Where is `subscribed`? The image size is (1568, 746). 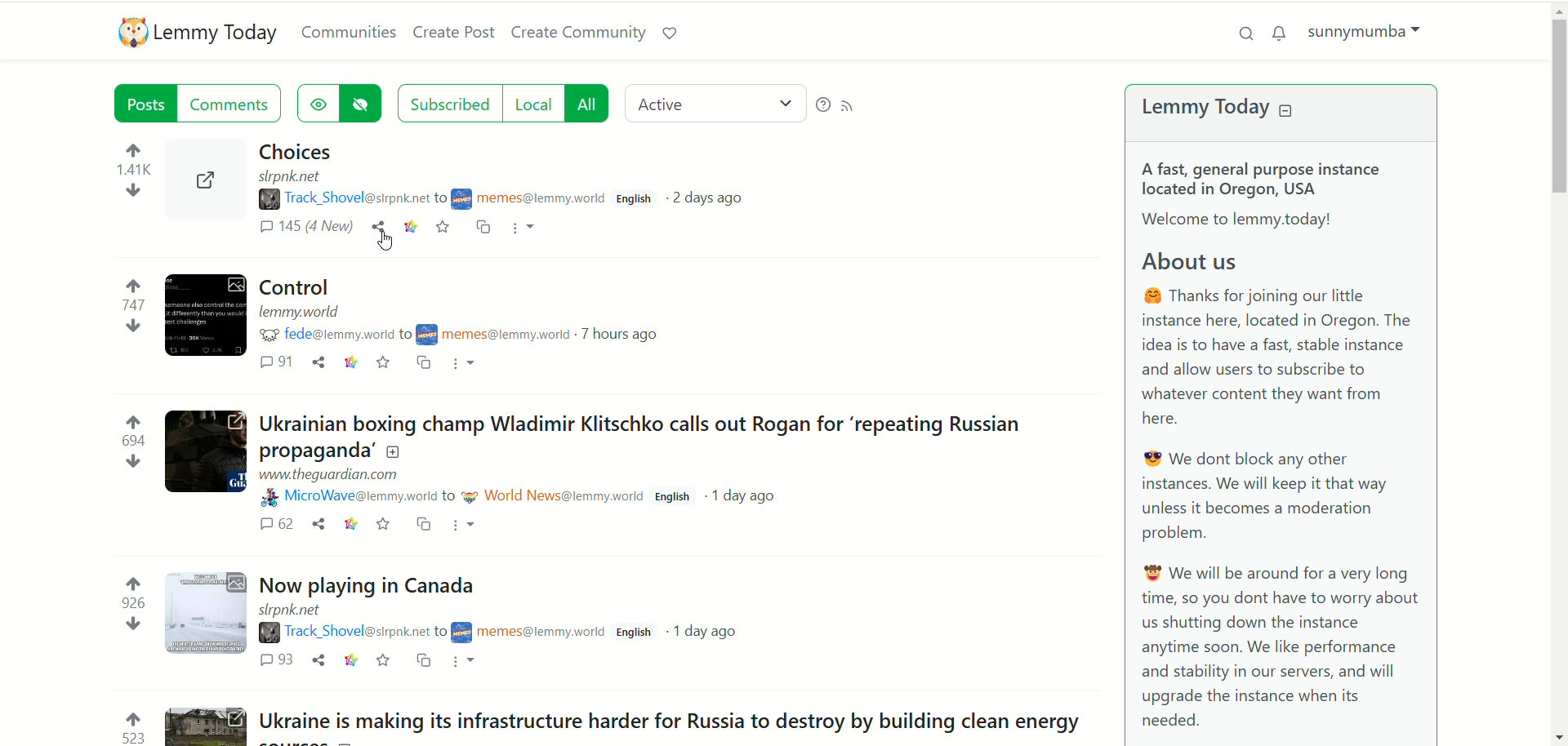
subscribed is located at coordinates (447, 101).